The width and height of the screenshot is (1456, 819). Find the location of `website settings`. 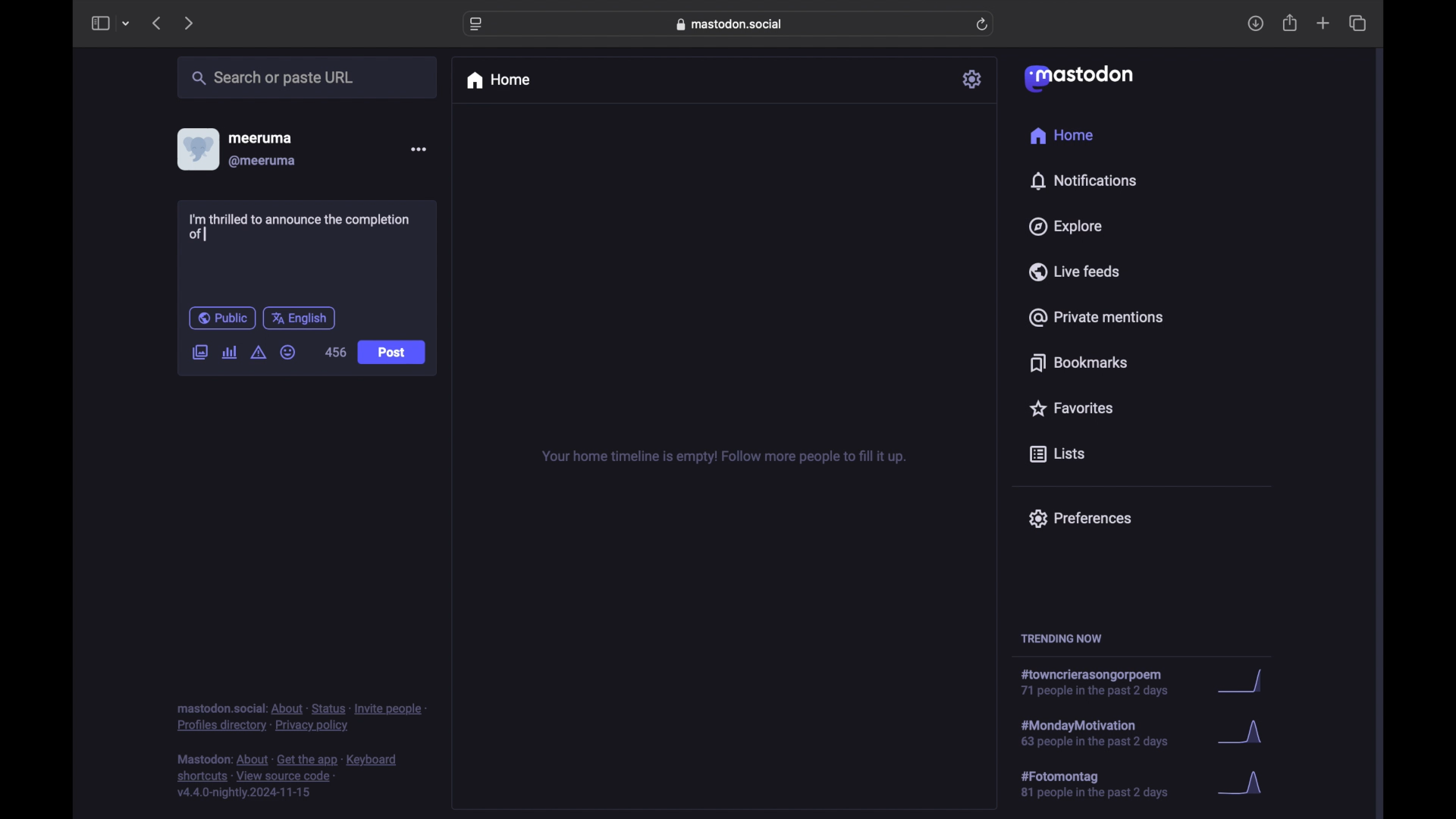

website settings is located at coordinates (476, 25).